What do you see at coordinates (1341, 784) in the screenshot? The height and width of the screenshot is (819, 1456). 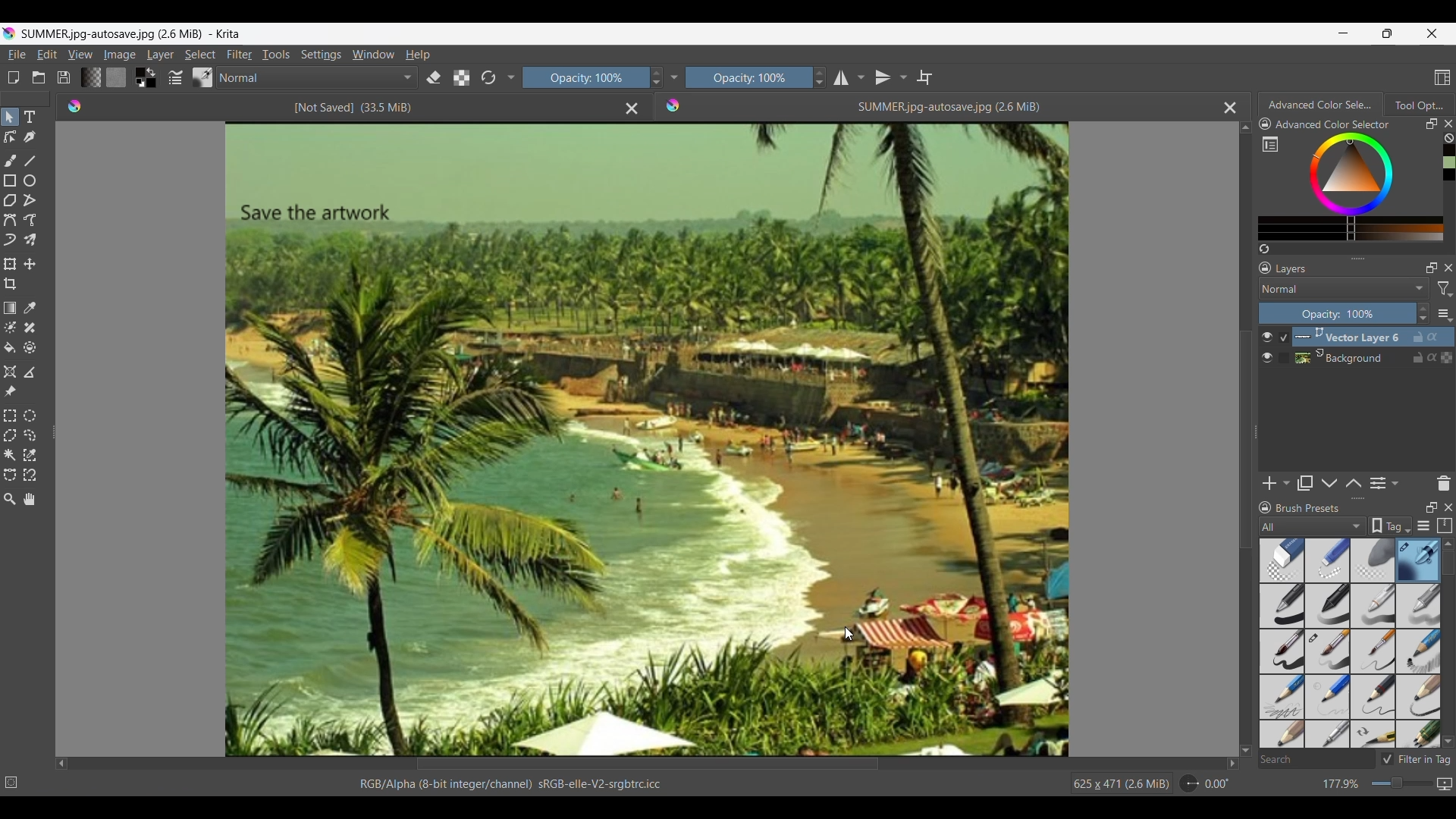 I see `Current zoom factor` at bounding box center [1341, 784].